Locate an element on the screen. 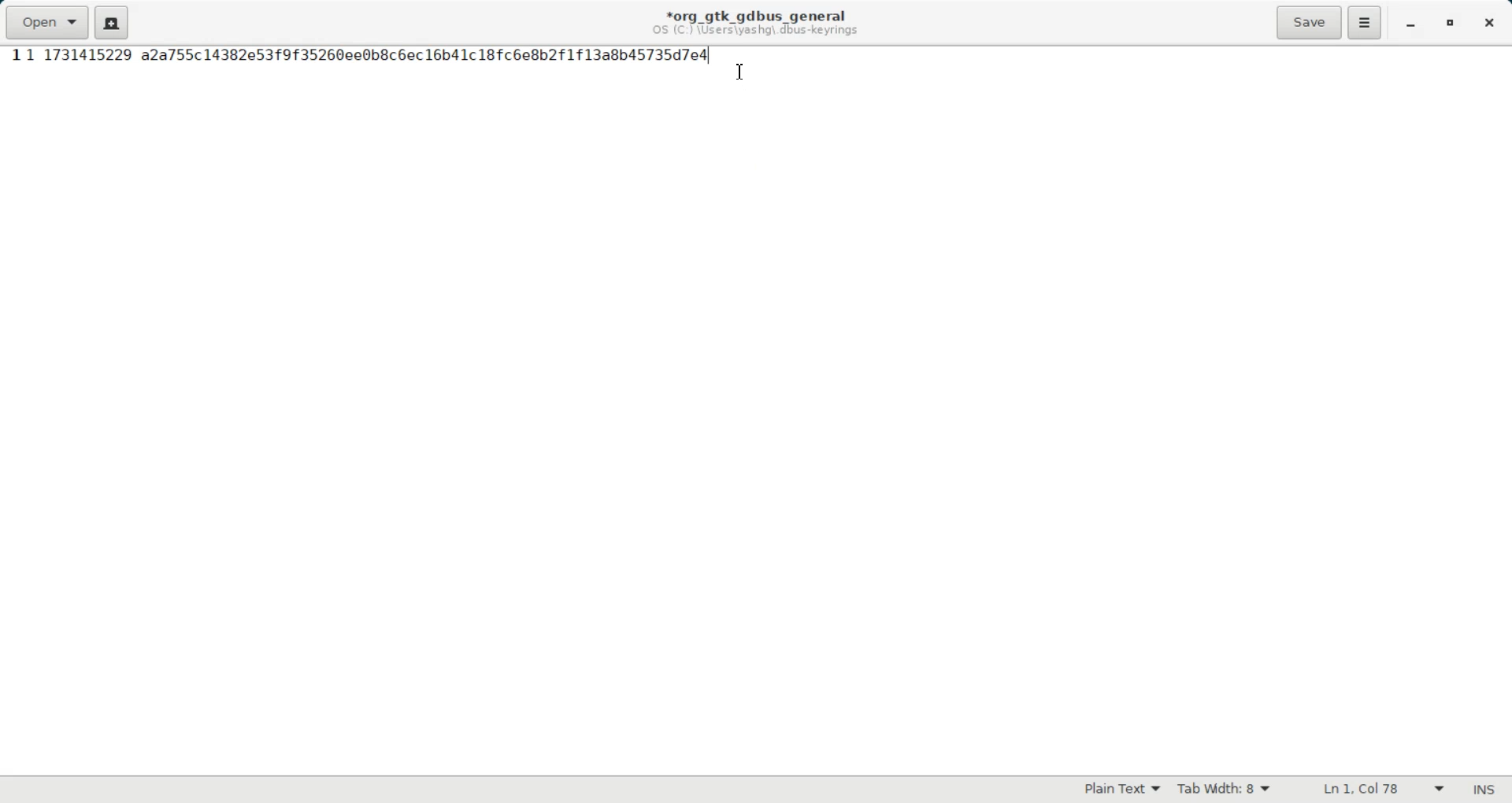  Line Number is located at coordinates (14, 56).